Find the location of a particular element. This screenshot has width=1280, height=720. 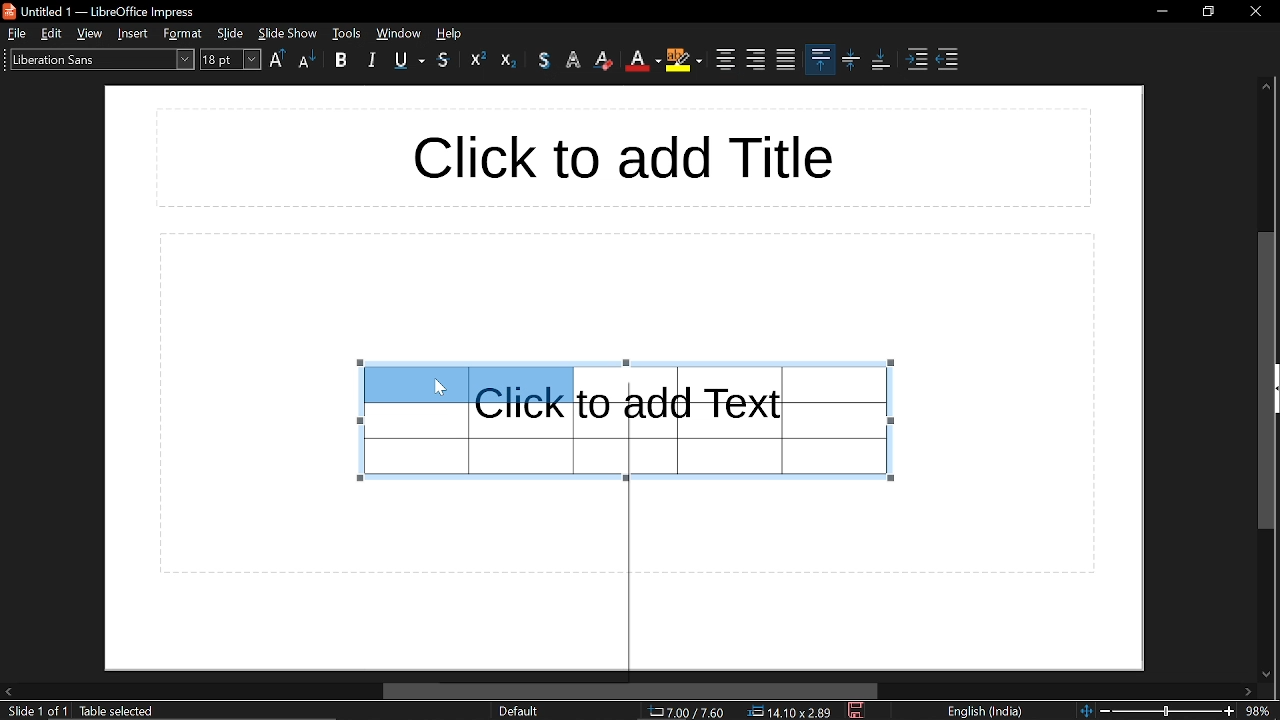

minimize is located at coordinates (1162, 11).